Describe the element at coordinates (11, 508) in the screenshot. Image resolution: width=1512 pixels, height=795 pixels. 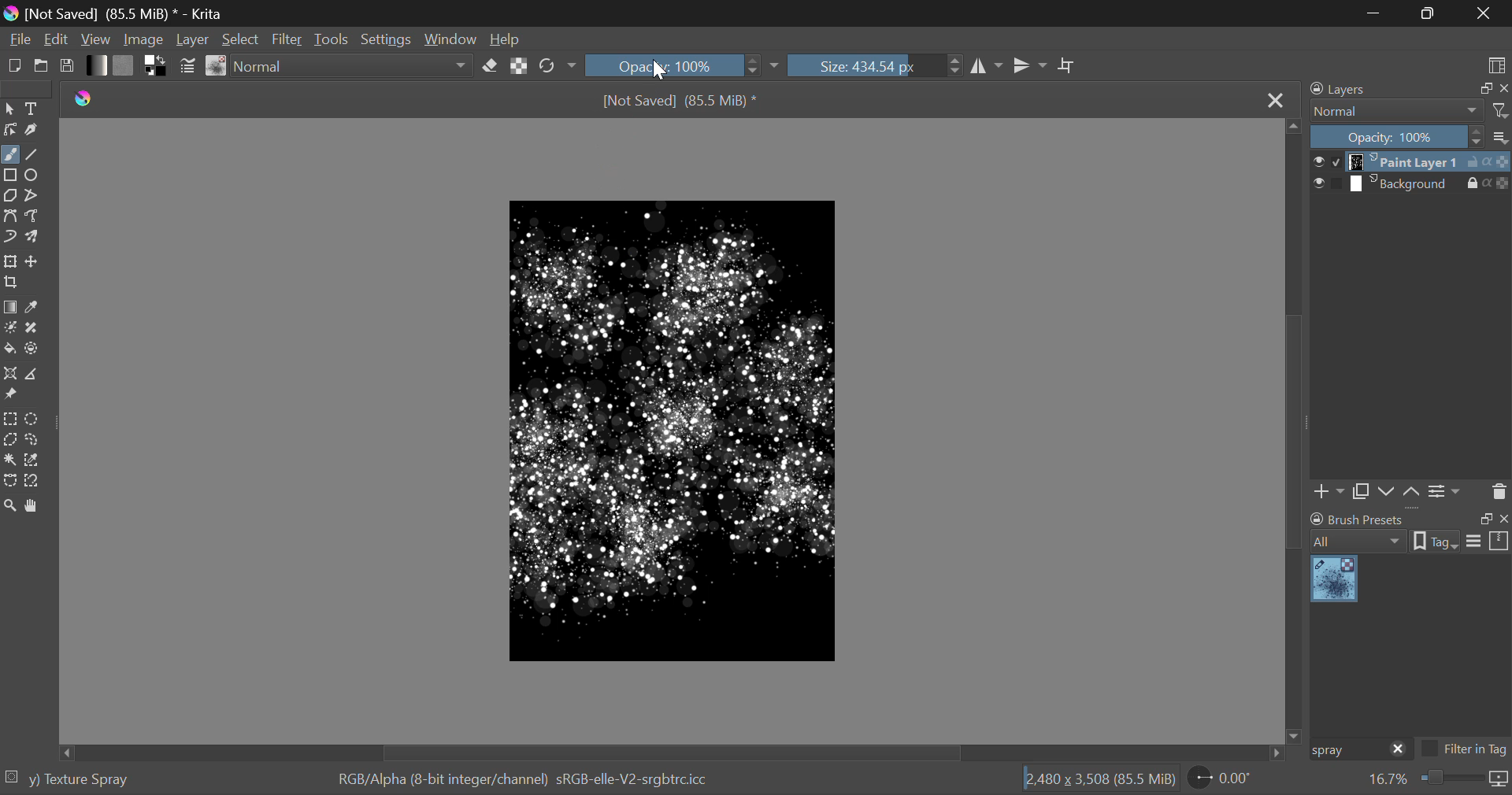
I see `Zoom` at that location.